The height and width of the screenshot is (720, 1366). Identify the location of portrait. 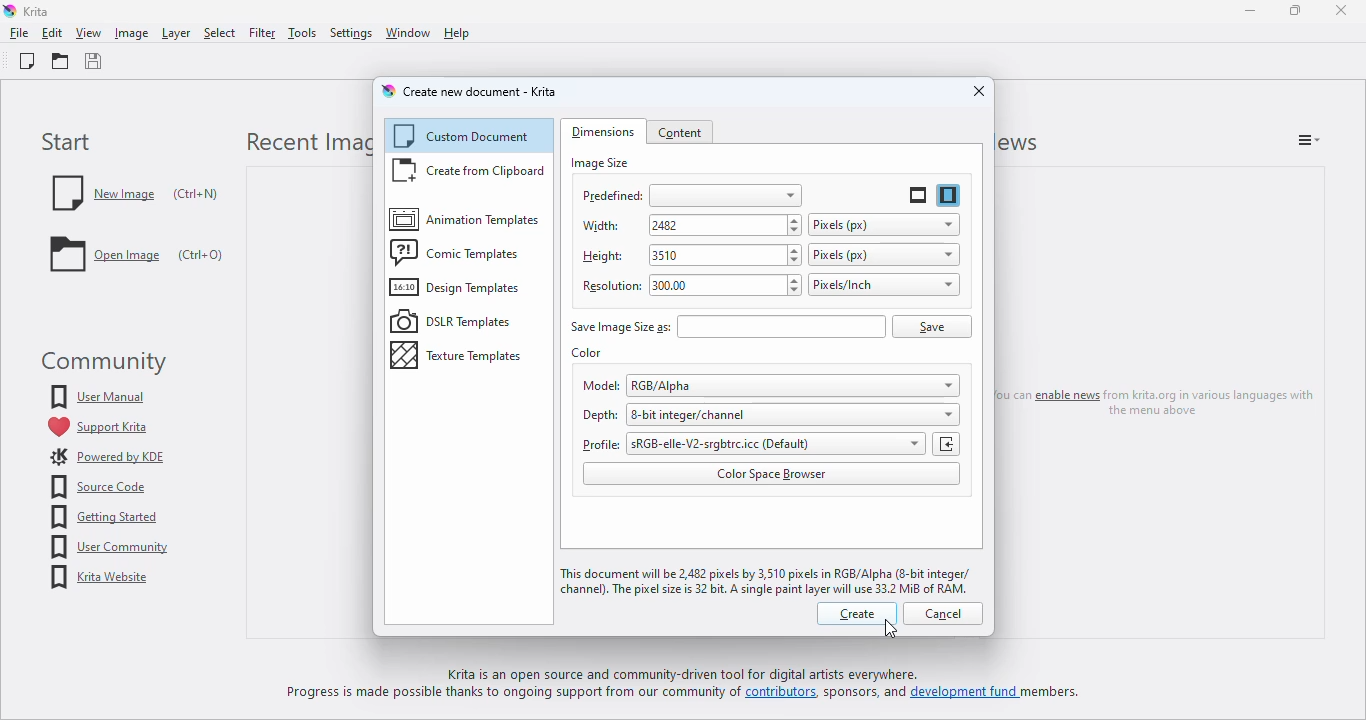
(949, 195).